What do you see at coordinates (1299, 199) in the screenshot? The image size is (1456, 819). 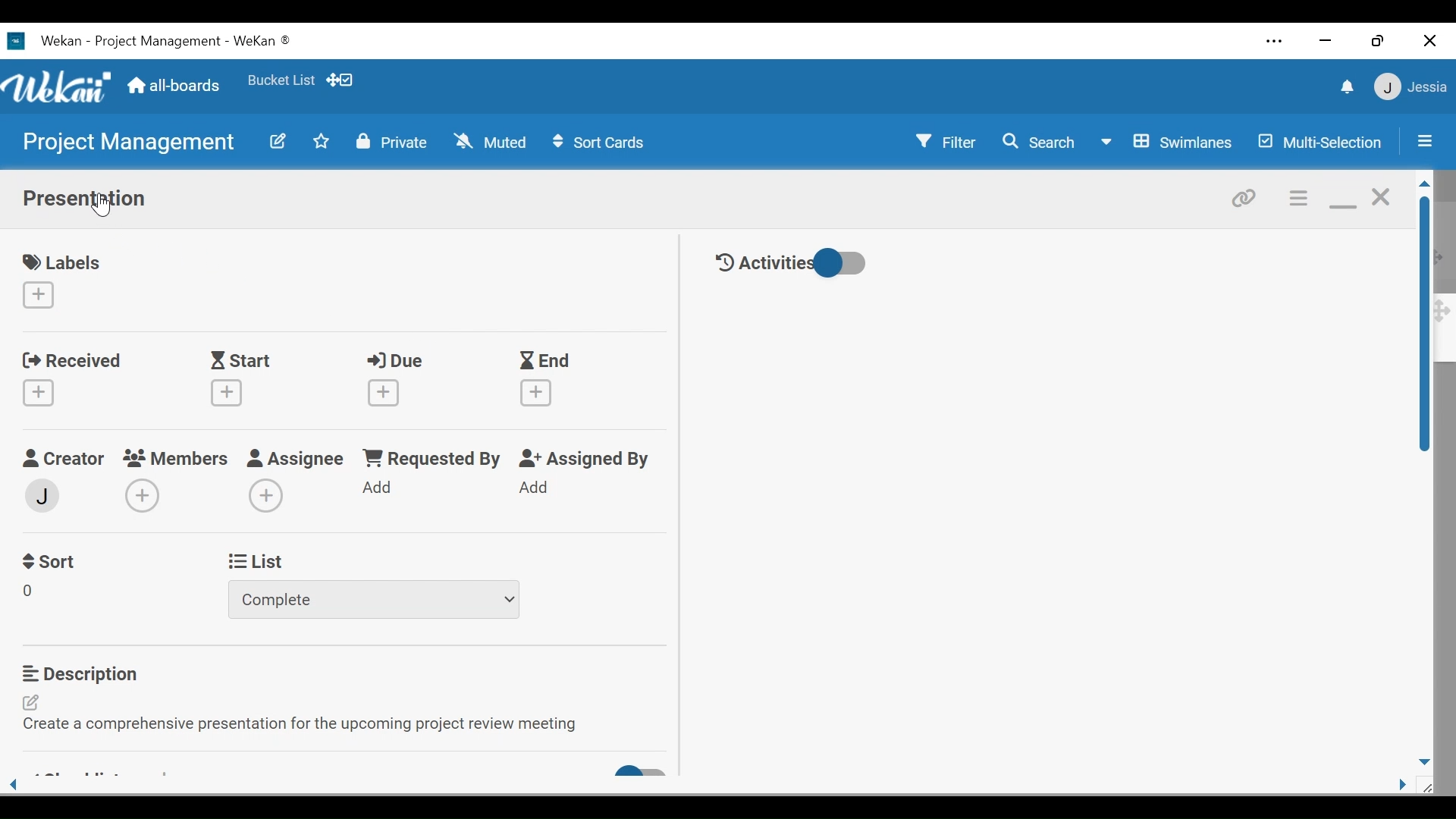 I see `Card actions` at bounding box center [1299, 199].